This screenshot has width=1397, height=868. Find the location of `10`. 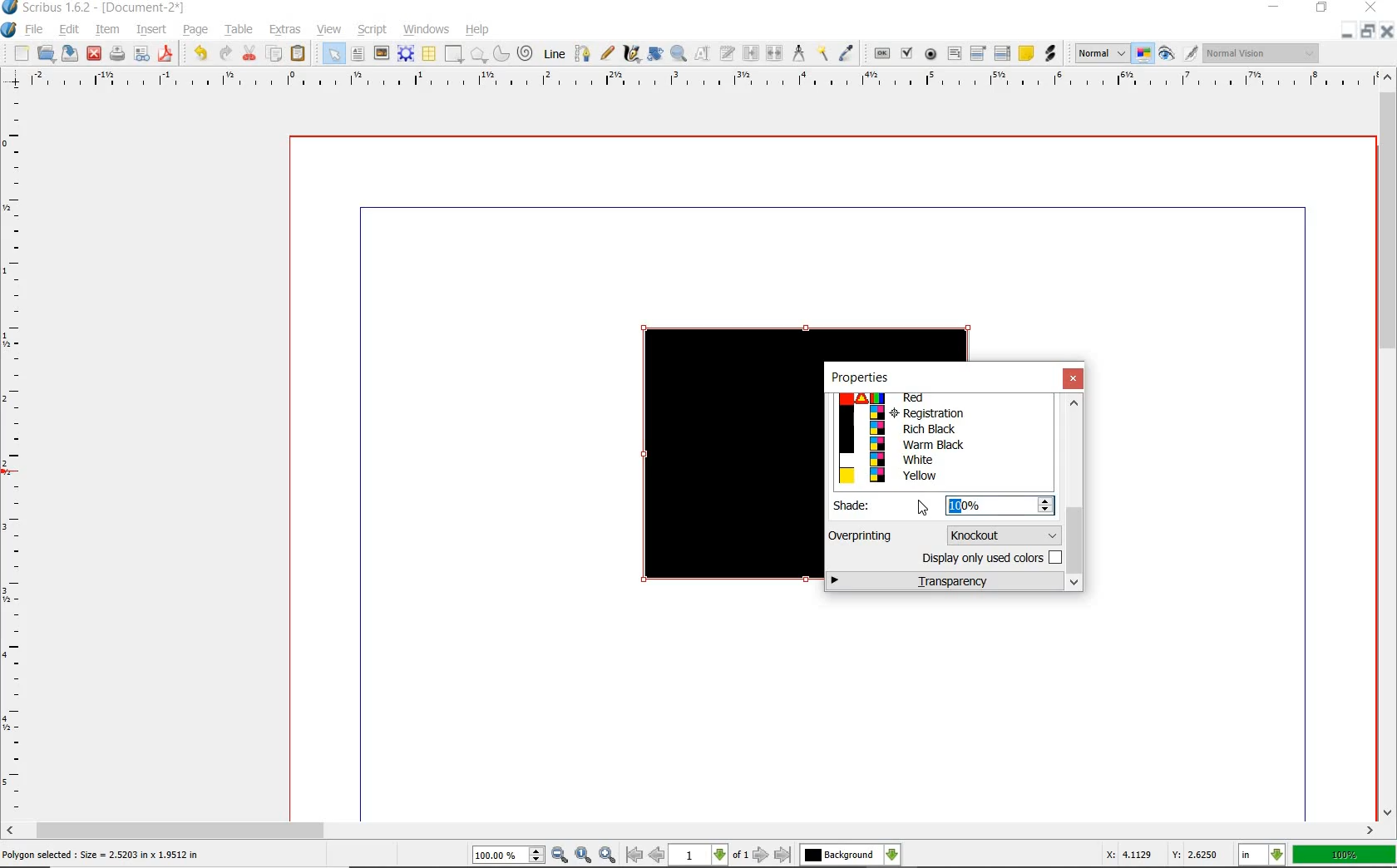

10 is located at coordinates (954, 506).